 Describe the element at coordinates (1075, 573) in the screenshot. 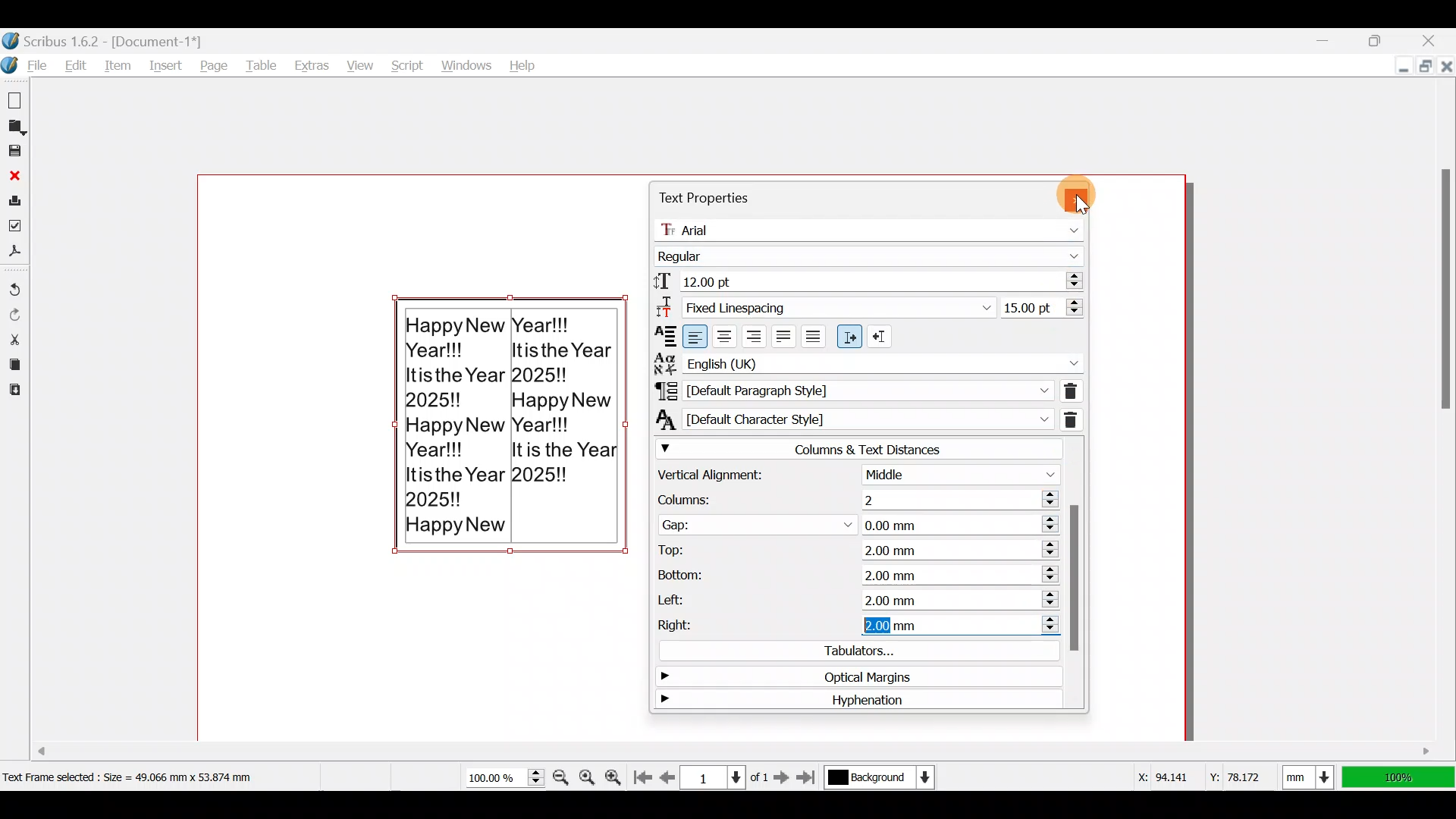

I see `Scroll bar` at that location.